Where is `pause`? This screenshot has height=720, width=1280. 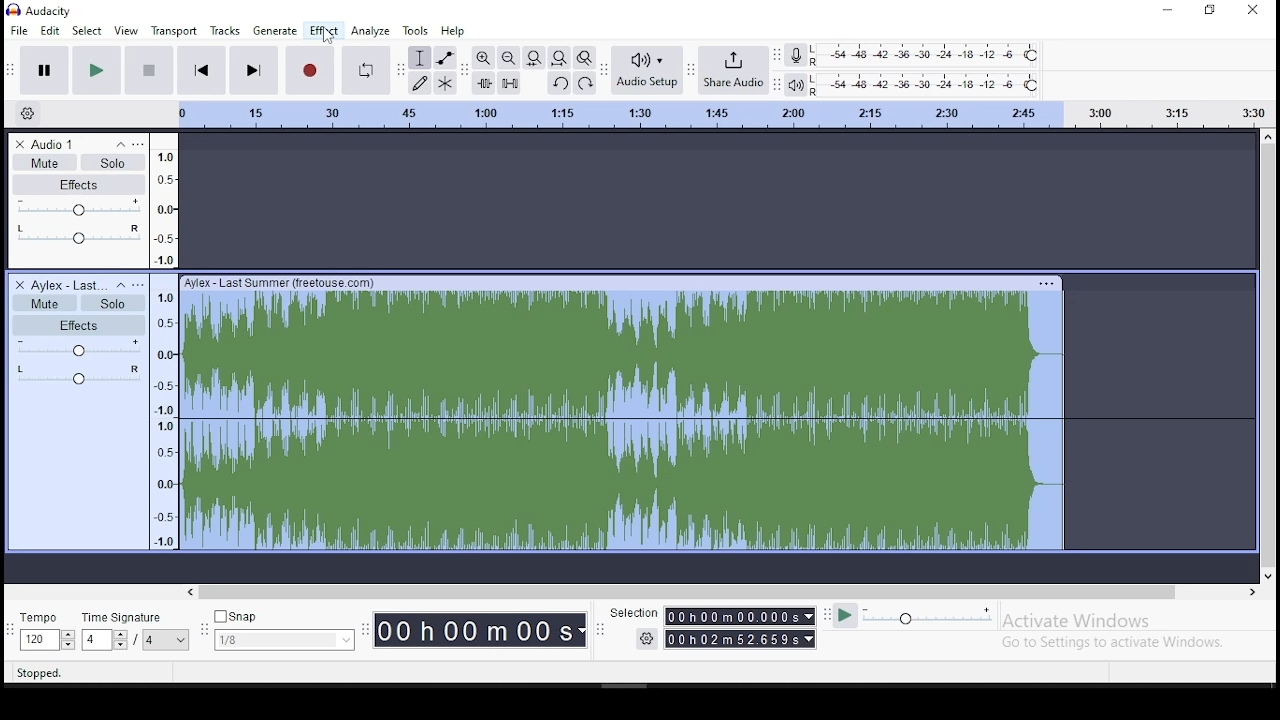
pause is located at coordinates (96, 70).